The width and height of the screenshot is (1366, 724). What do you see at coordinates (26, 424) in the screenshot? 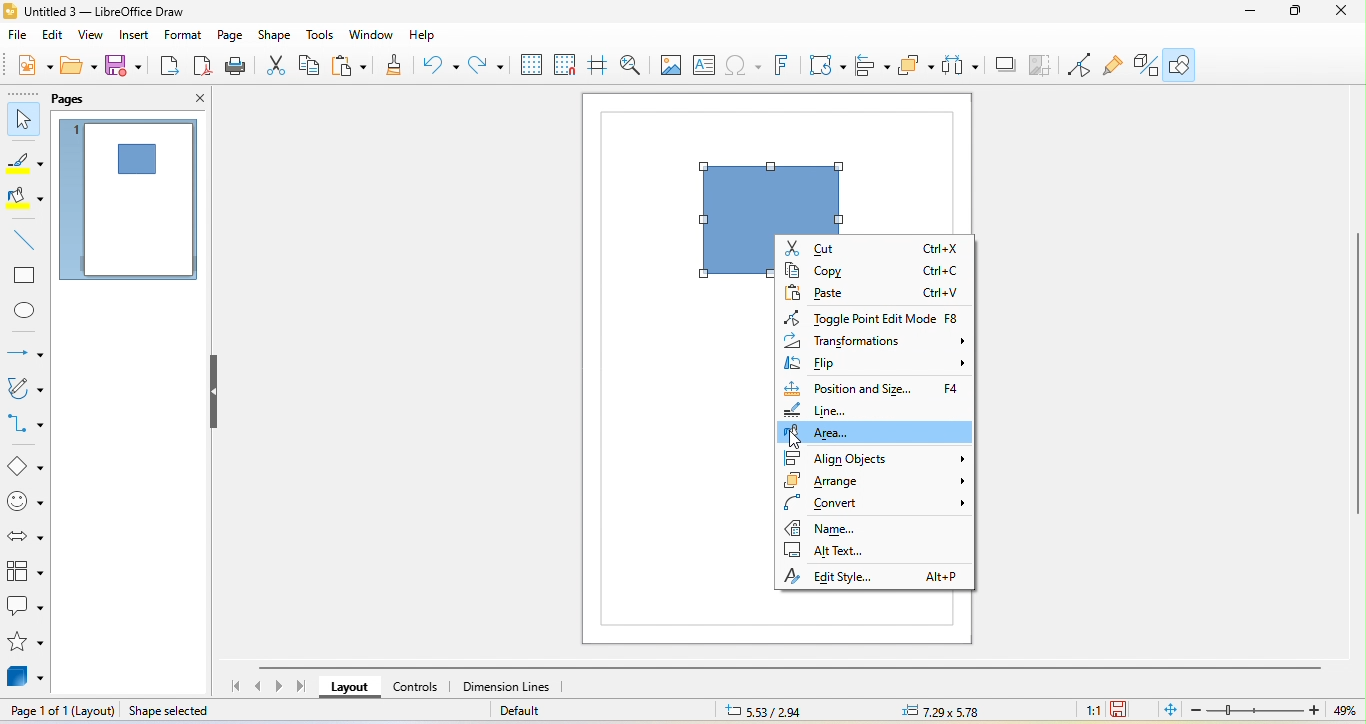
I see `connectors` at bounding box center [26, 424].